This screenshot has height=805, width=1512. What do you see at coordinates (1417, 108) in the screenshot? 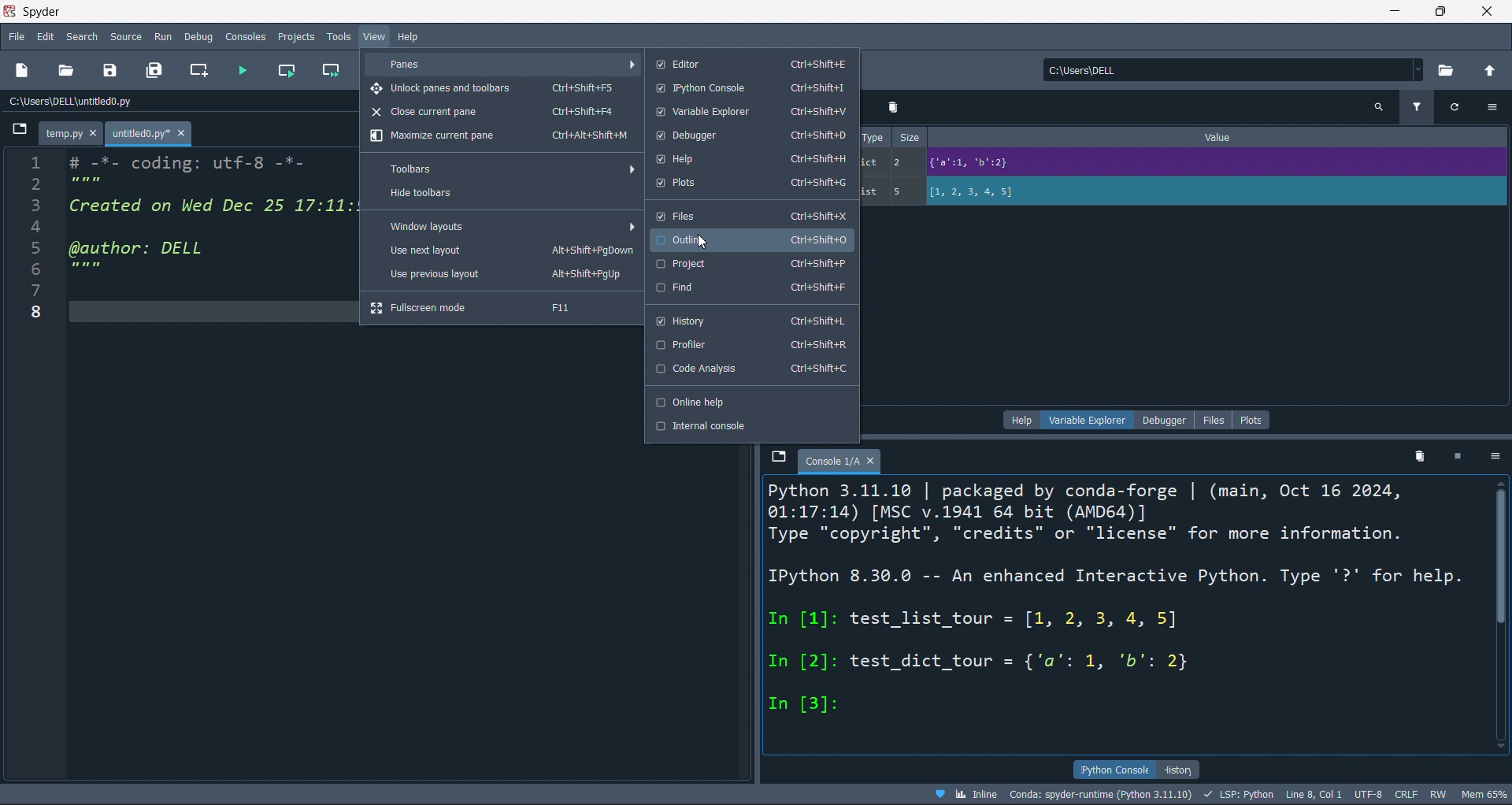
I see `filter` at bounding box center [1417, 108].